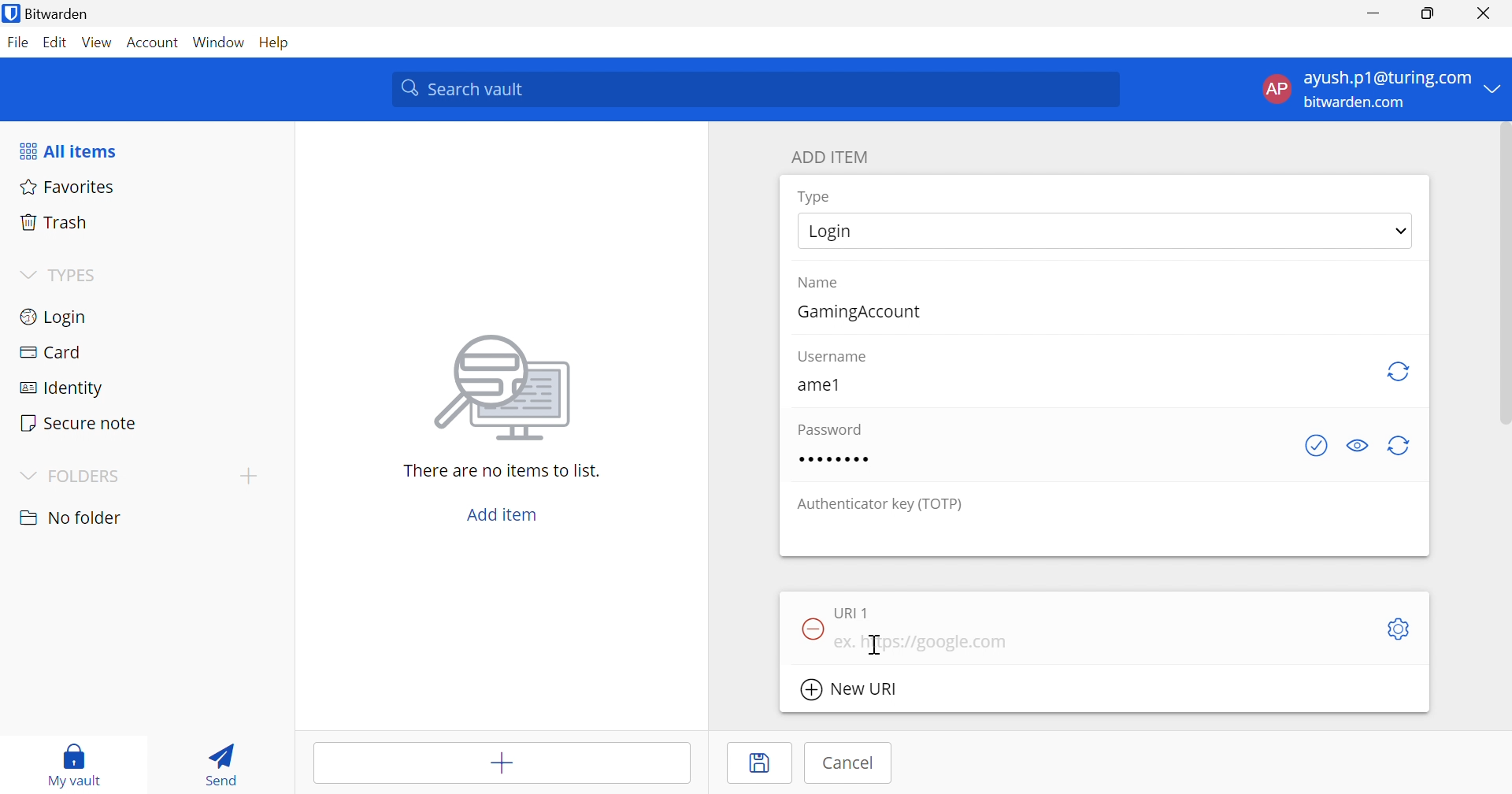  What do you see at coordinates (57, 41) in the screenshot?
I see `Edit` at bounding box center [57, 41].